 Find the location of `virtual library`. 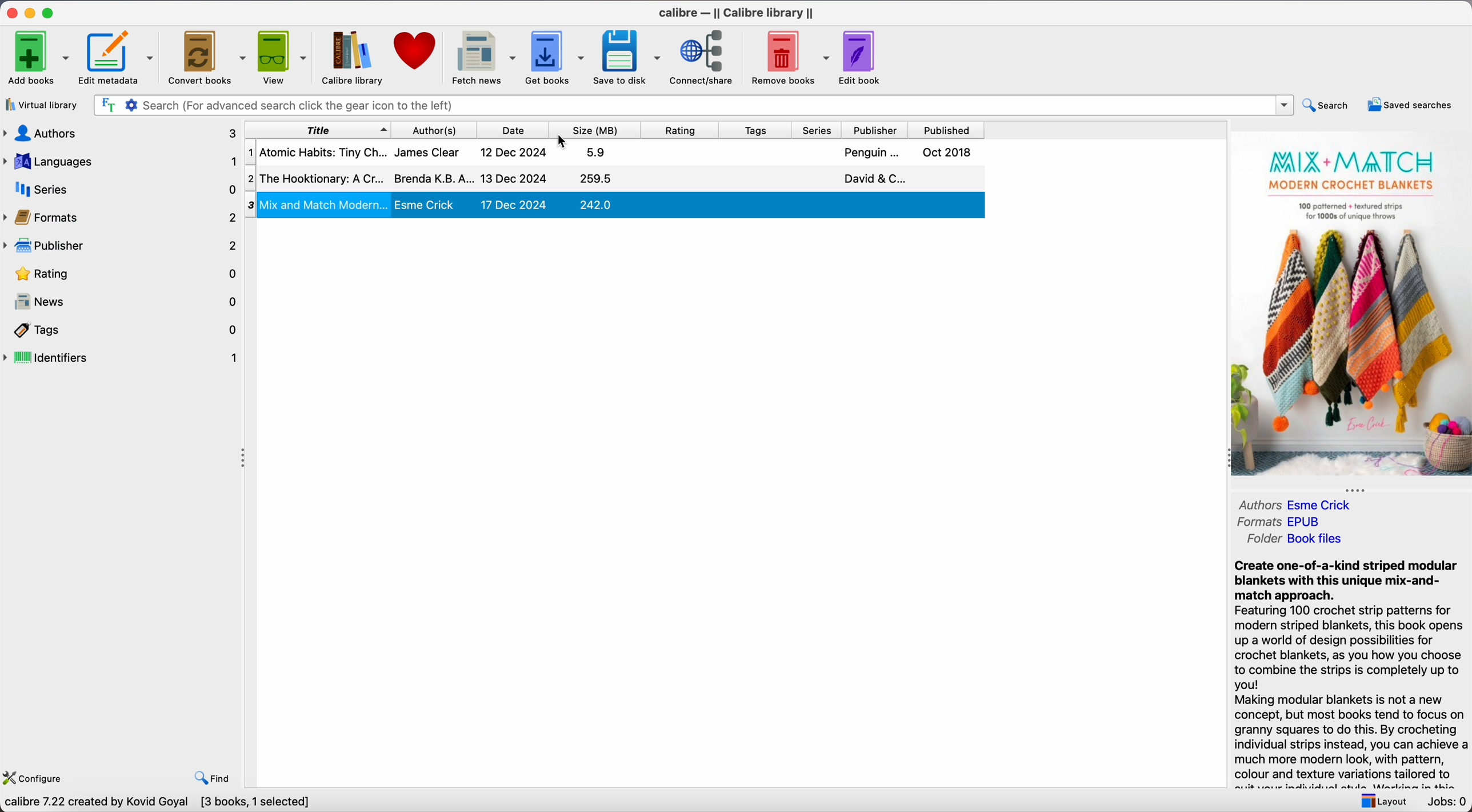

virtual library is located at coordinates (44, 105).